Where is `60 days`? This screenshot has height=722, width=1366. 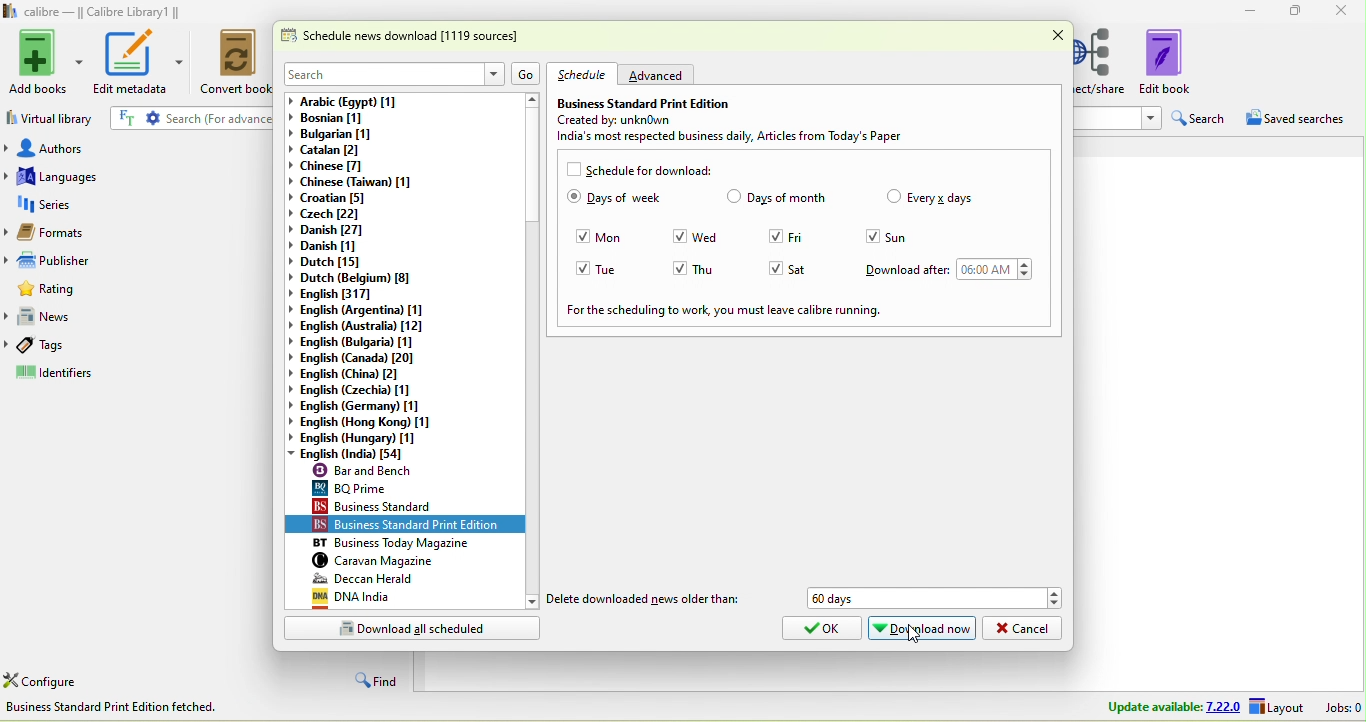 60 days is located at coordinates (918, 598).